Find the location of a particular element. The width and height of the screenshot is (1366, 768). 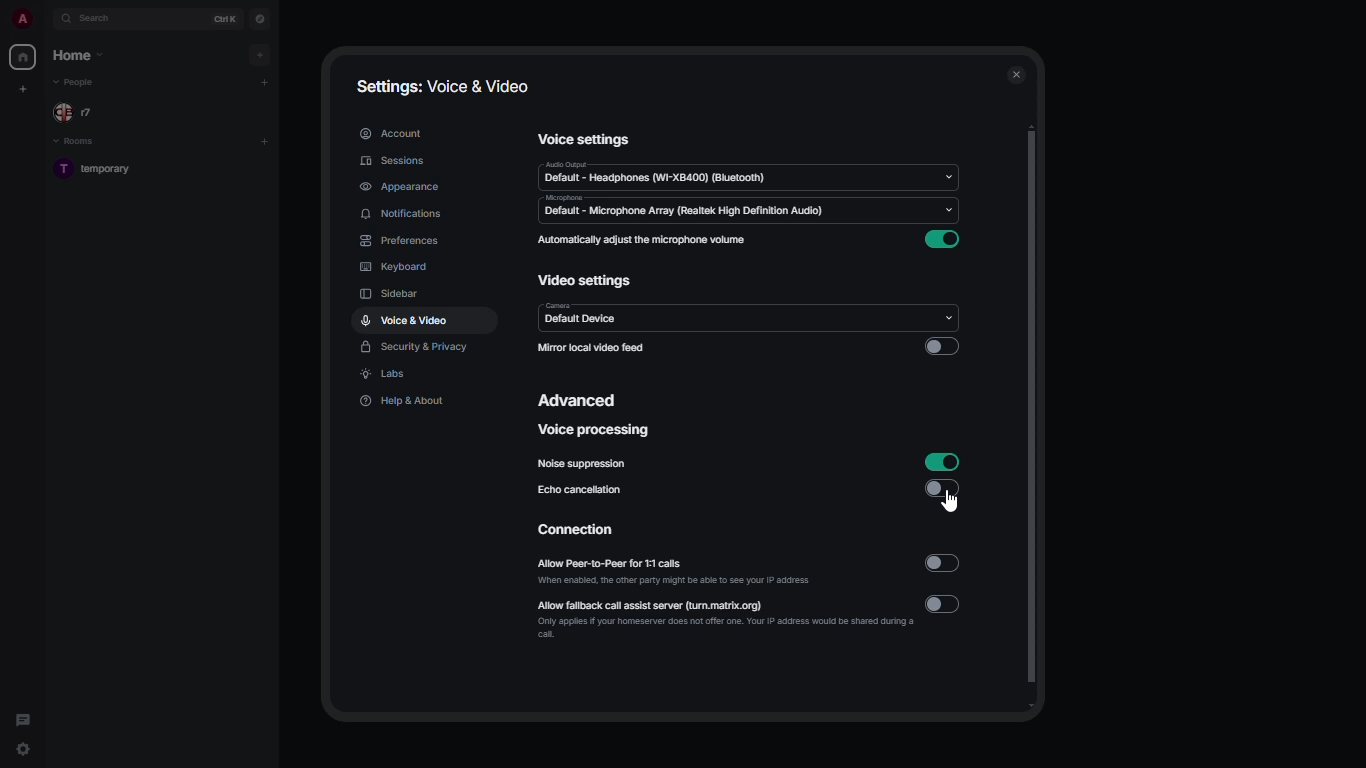

drop down is located at coordinates (949, 317).